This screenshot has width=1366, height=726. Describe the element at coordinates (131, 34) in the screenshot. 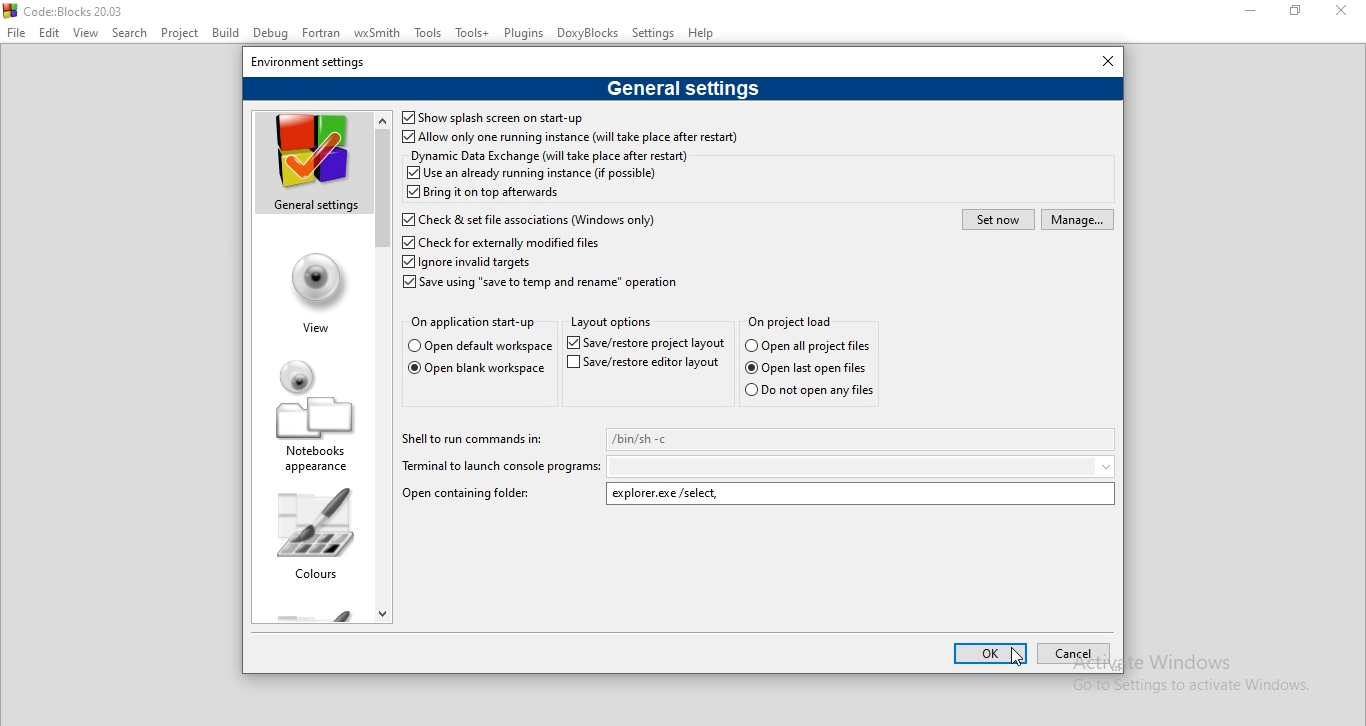

I see `Search` at that location.